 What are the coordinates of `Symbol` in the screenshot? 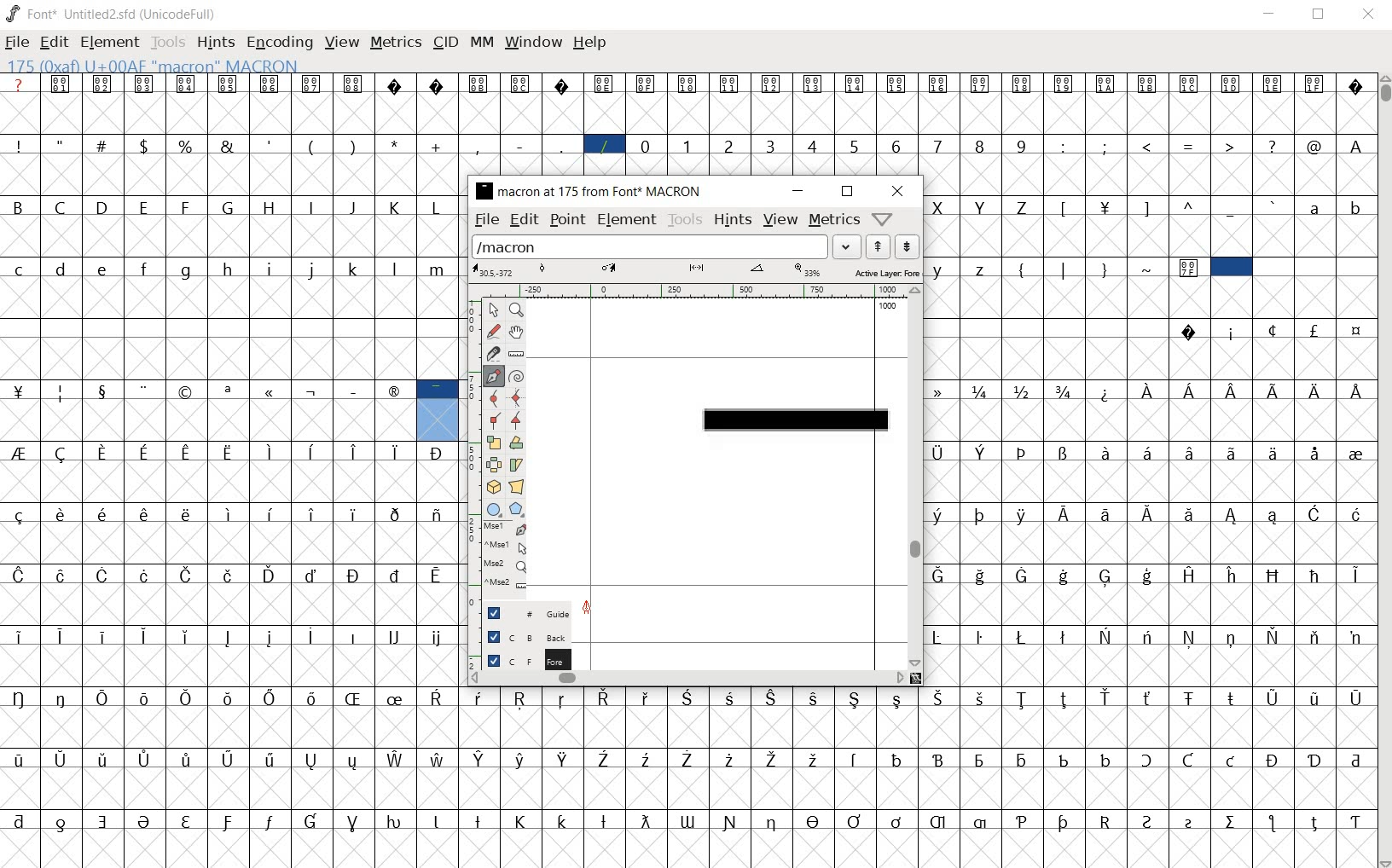 It's located at (980, 758).